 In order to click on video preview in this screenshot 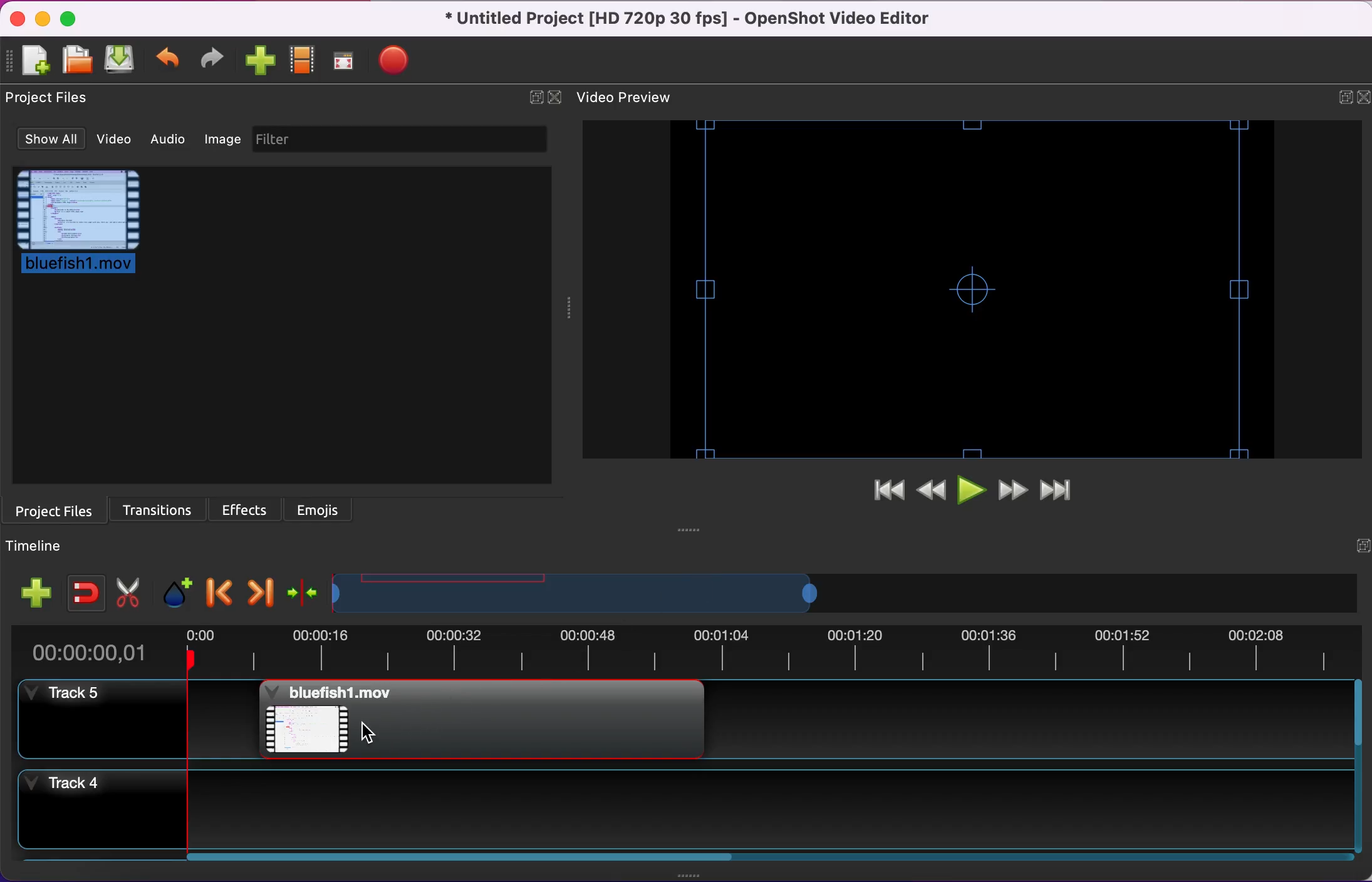, I will do `click(982, 294)`.